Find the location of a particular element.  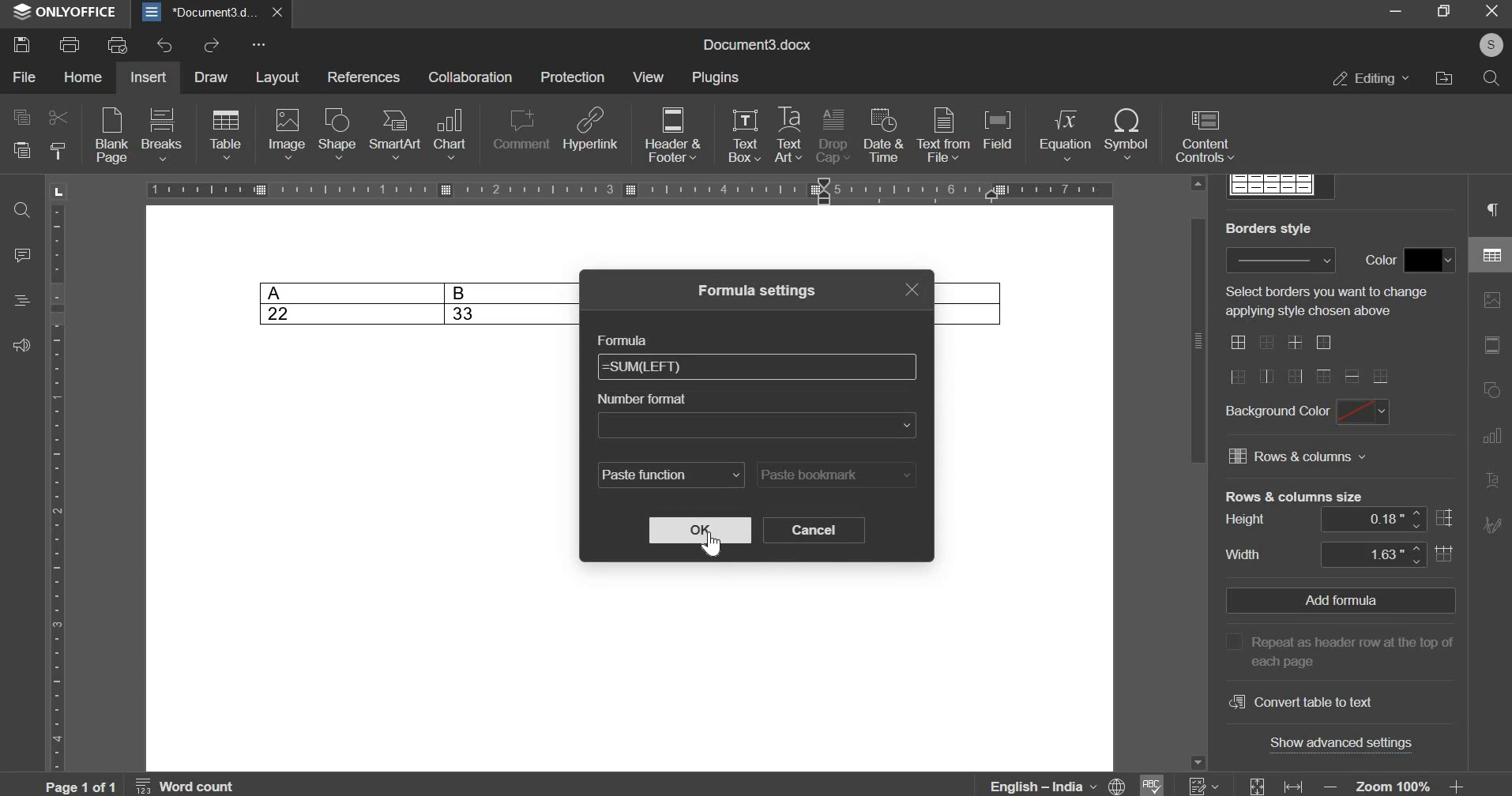

Zoom 100% is located at coordinates (1394, 785).